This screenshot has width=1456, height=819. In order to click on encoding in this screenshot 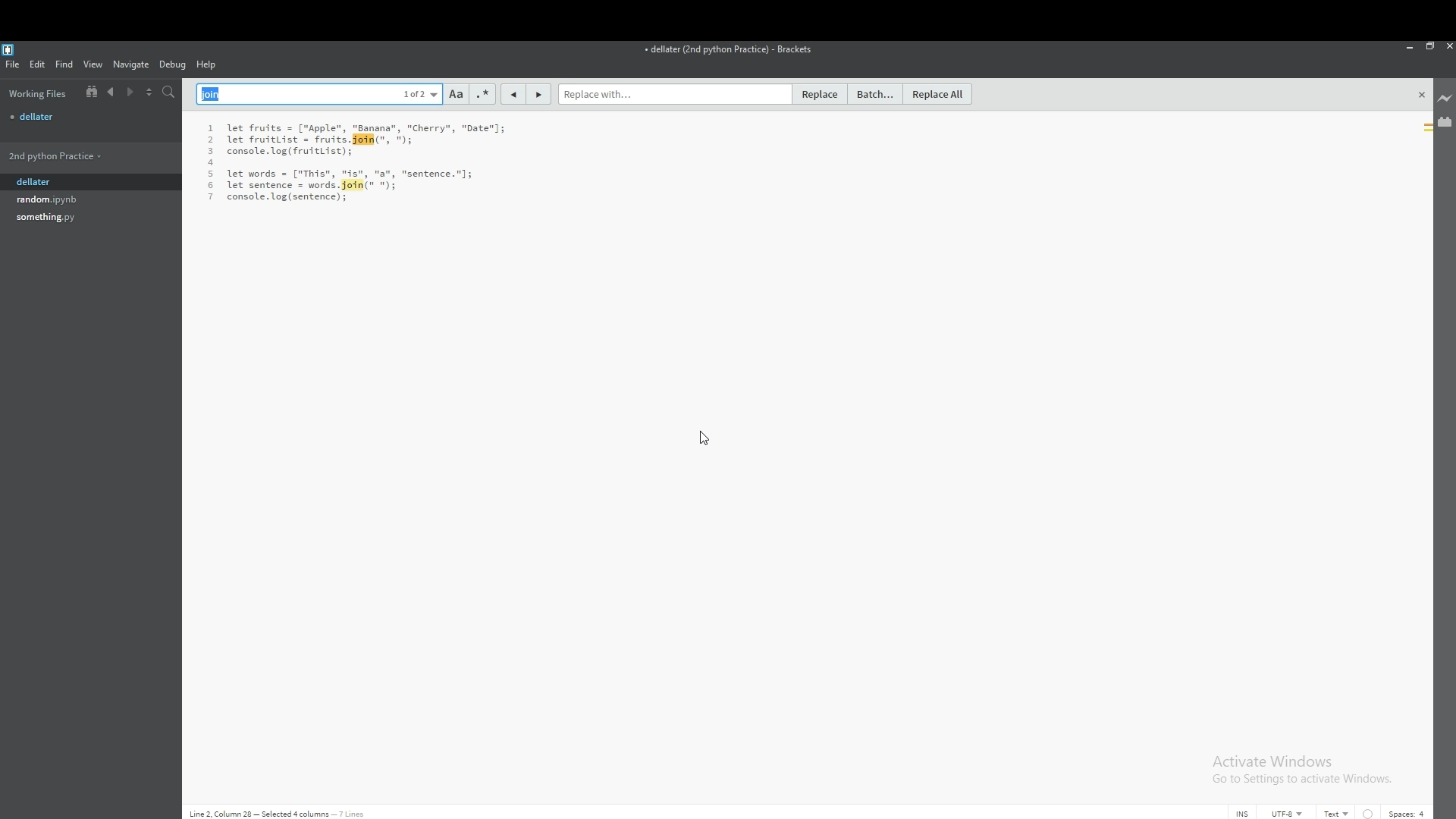, I will do `click(1287, 813)`.